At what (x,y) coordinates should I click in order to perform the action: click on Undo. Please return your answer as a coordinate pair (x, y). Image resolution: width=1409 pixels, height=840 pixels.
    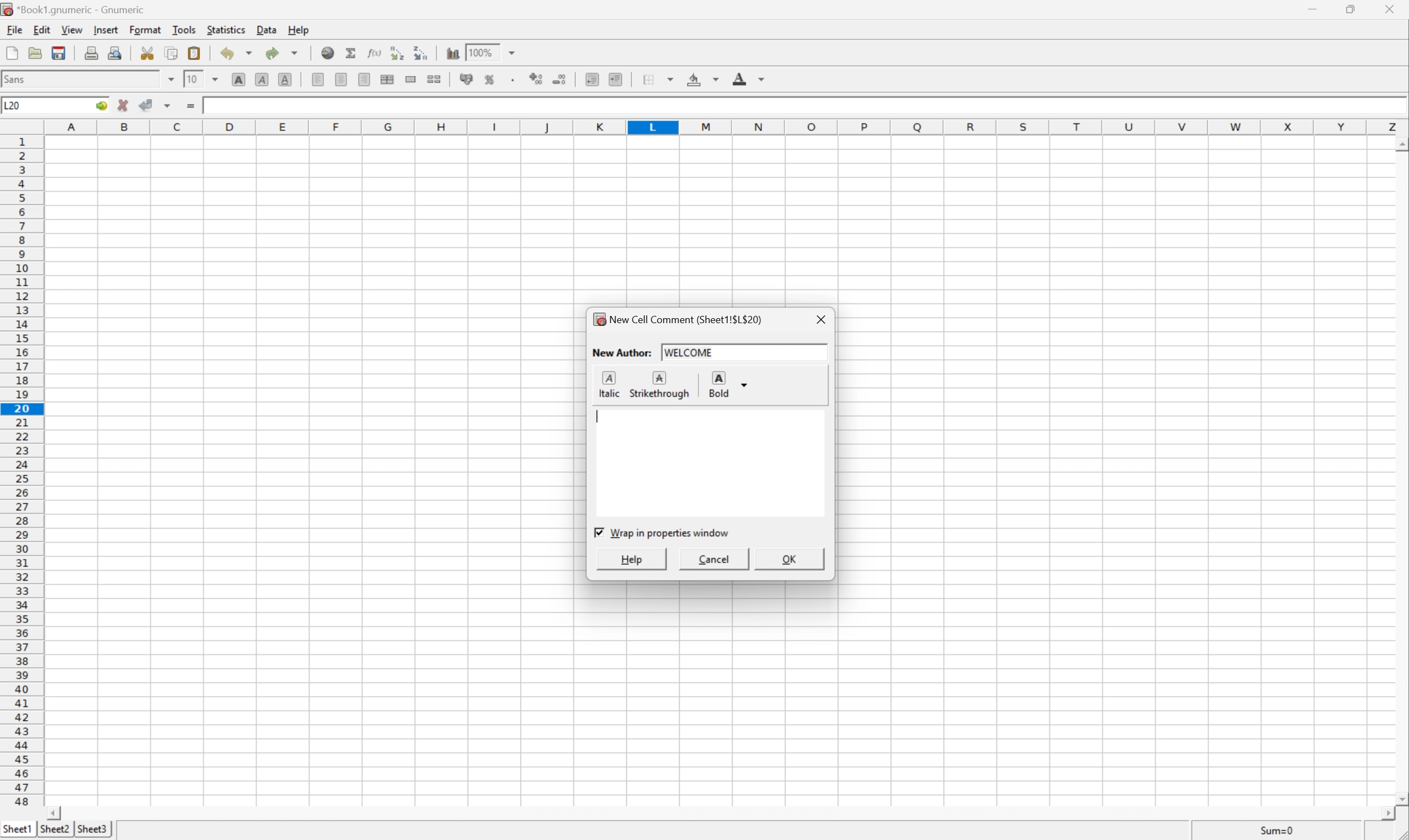
    Looking at the image, I should click on (234, 53).